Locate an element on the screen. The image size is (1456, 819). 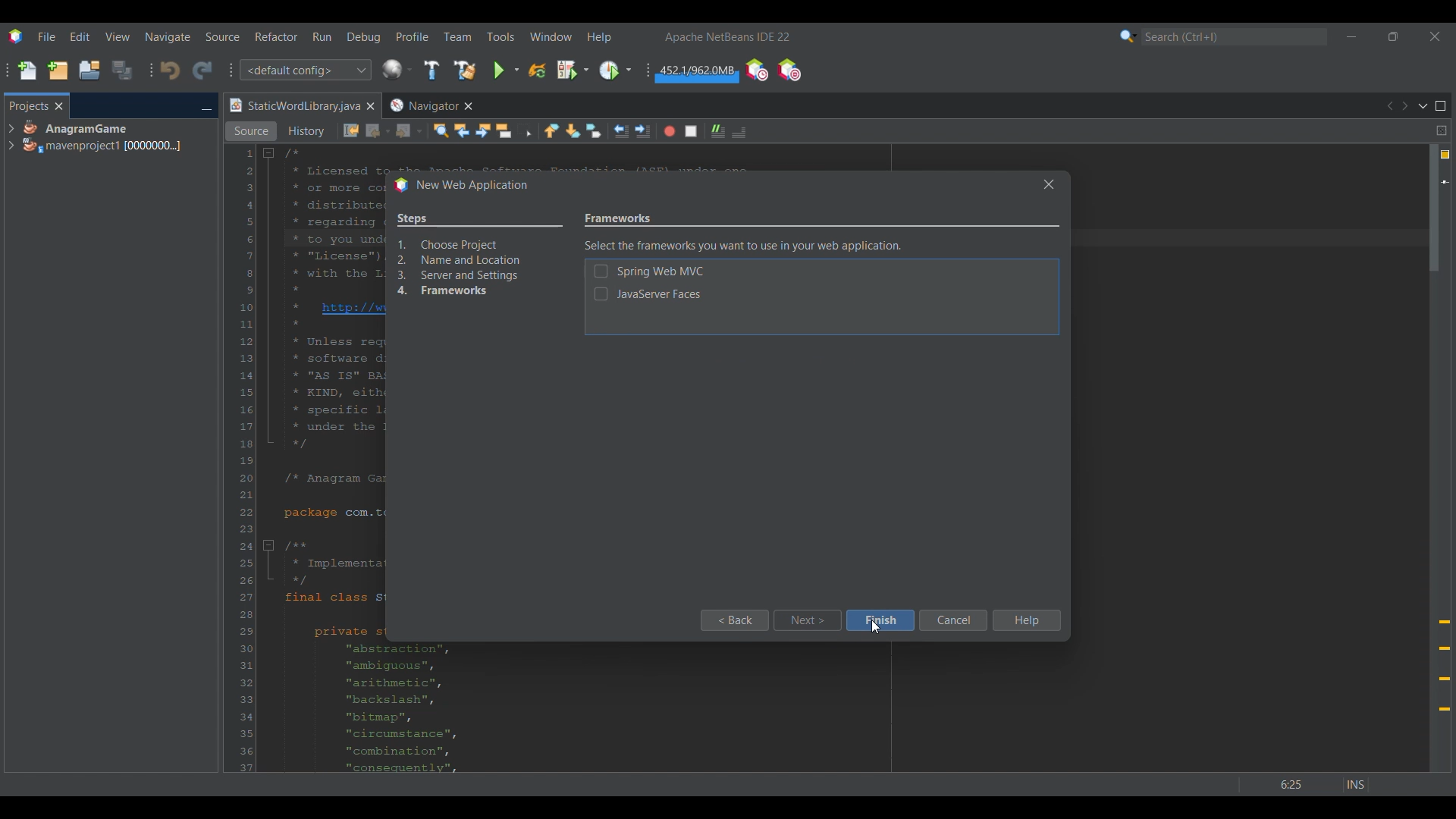
Setting options under current setting is located at coordinates (661, 283).